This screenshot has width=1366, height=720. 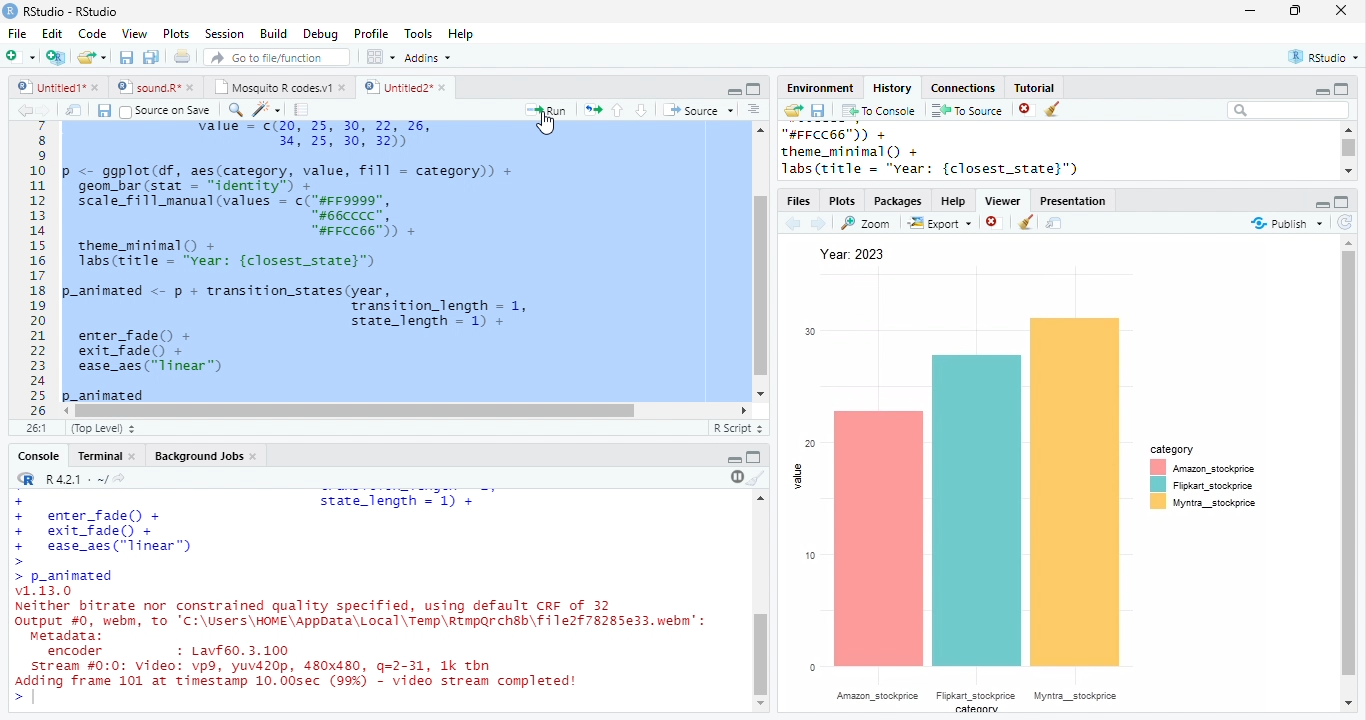 I want to click on close, so click(x=256, y=458).